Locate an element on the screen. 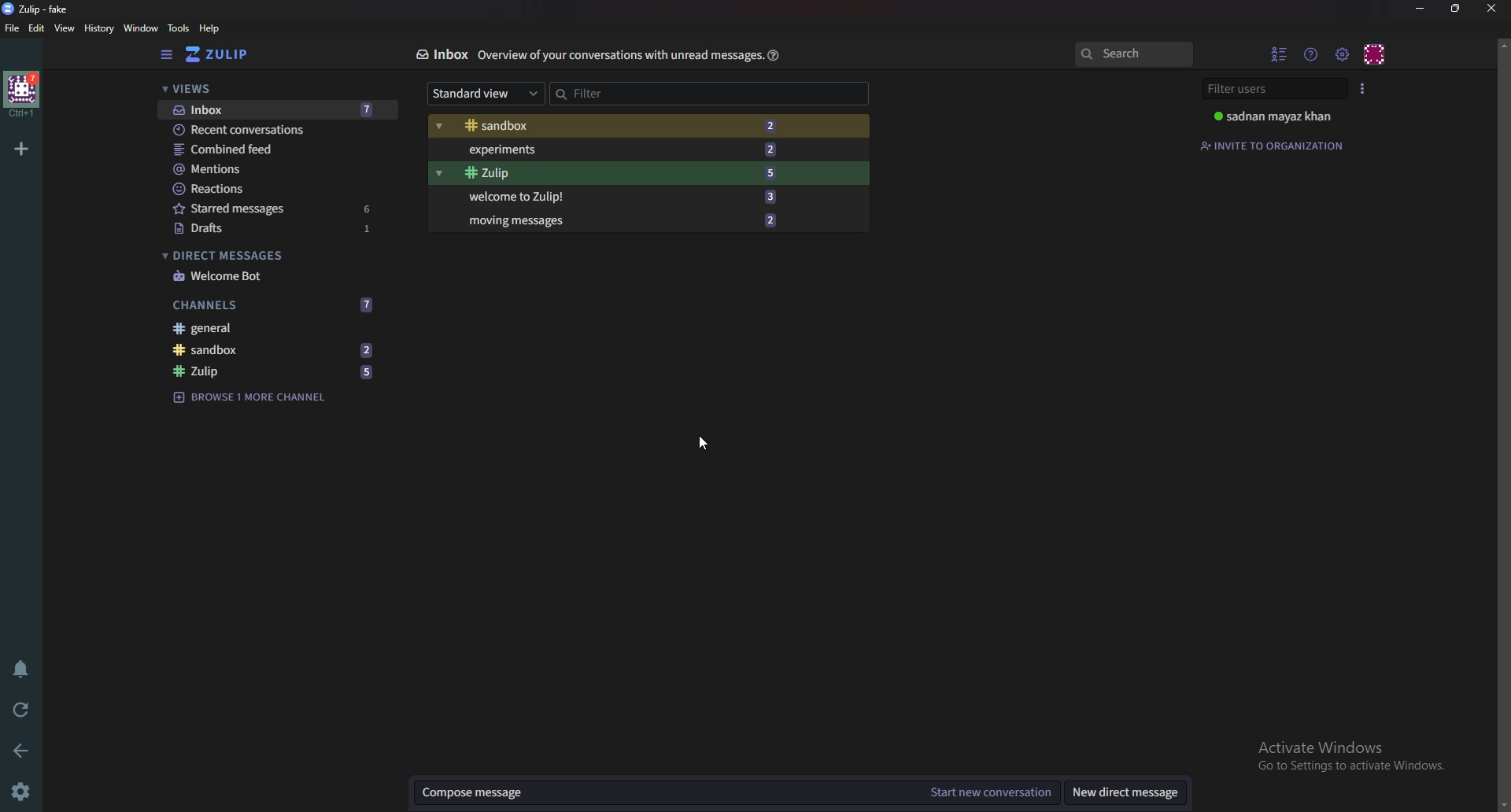  zulip is located at coordinates (217, 54).